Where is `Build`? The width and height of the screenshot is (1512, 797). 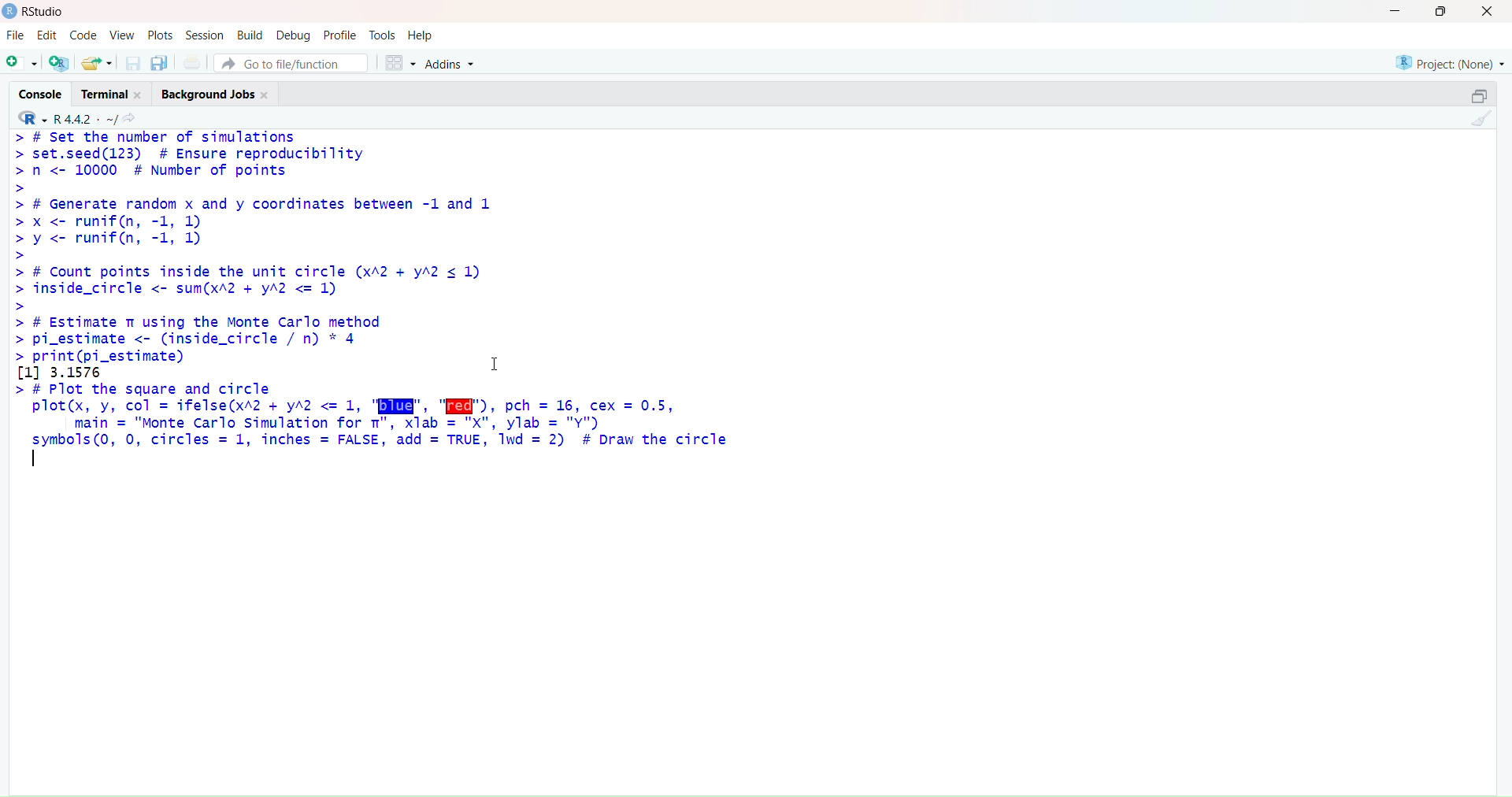
Build is located at coordinates (250, 34).